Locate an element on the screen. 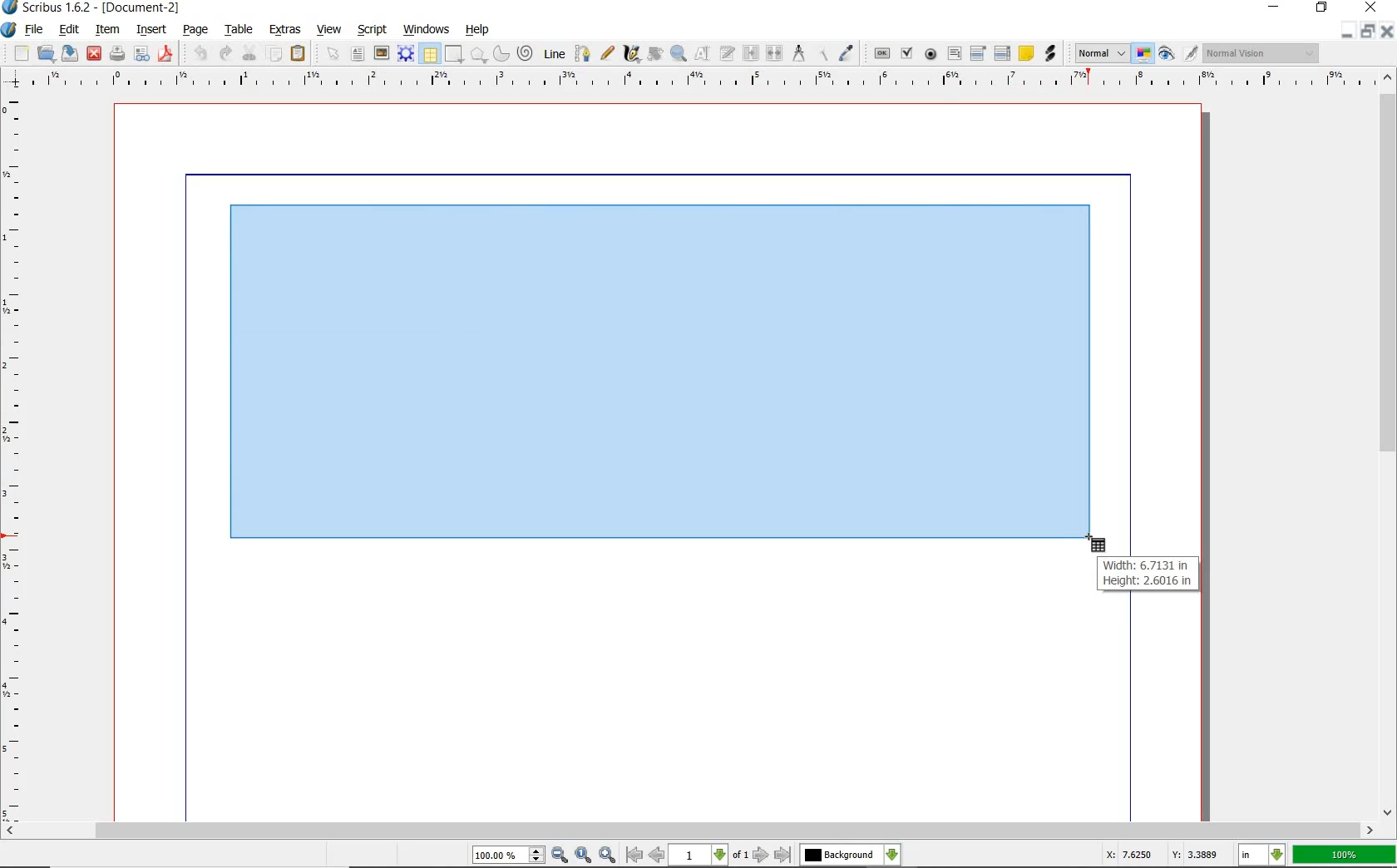  toggle color management mode is located at coordinates (1142, 53).